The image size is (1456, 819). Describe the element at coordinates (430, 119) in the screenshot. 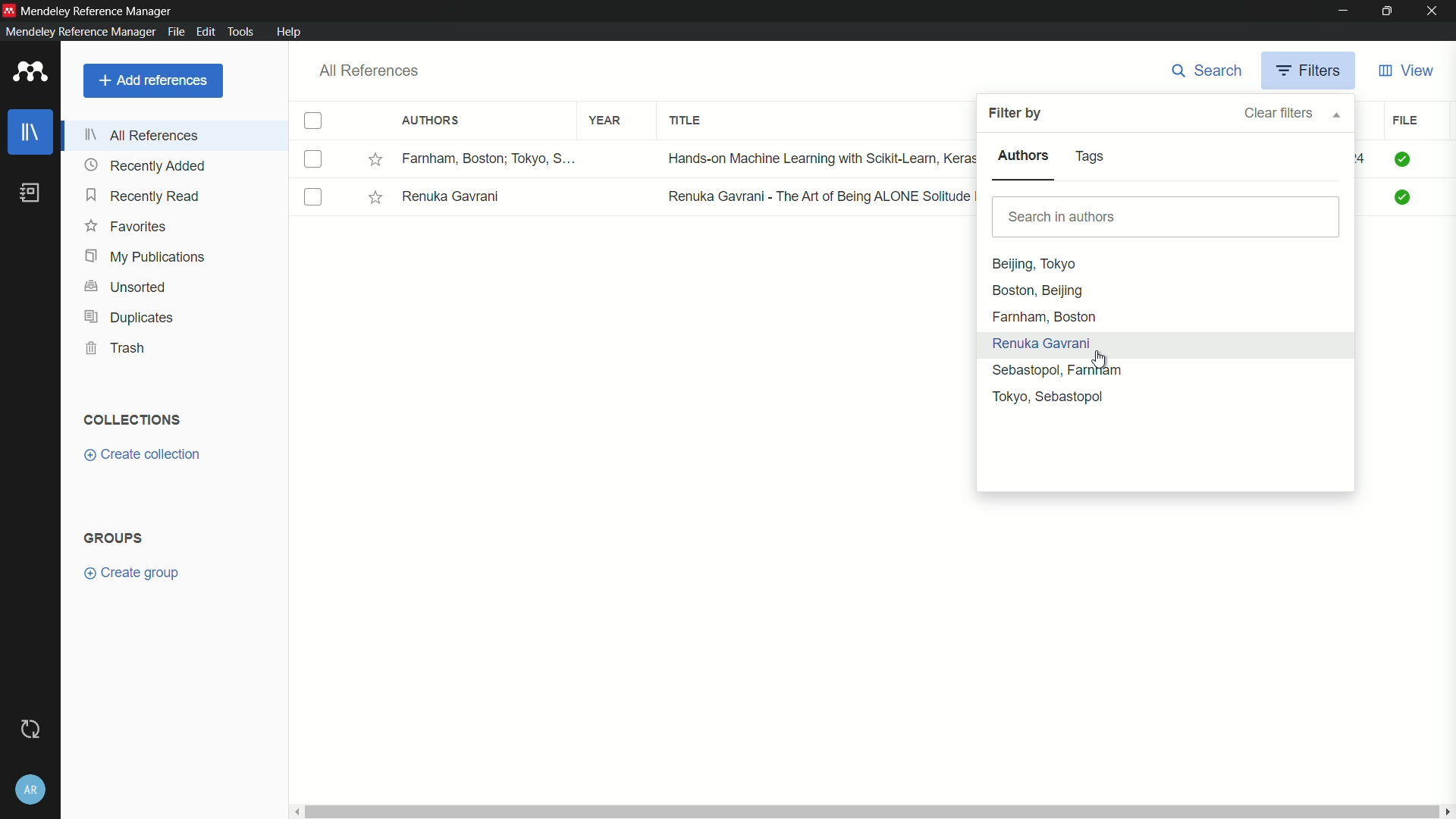

I see `authors` at that location.